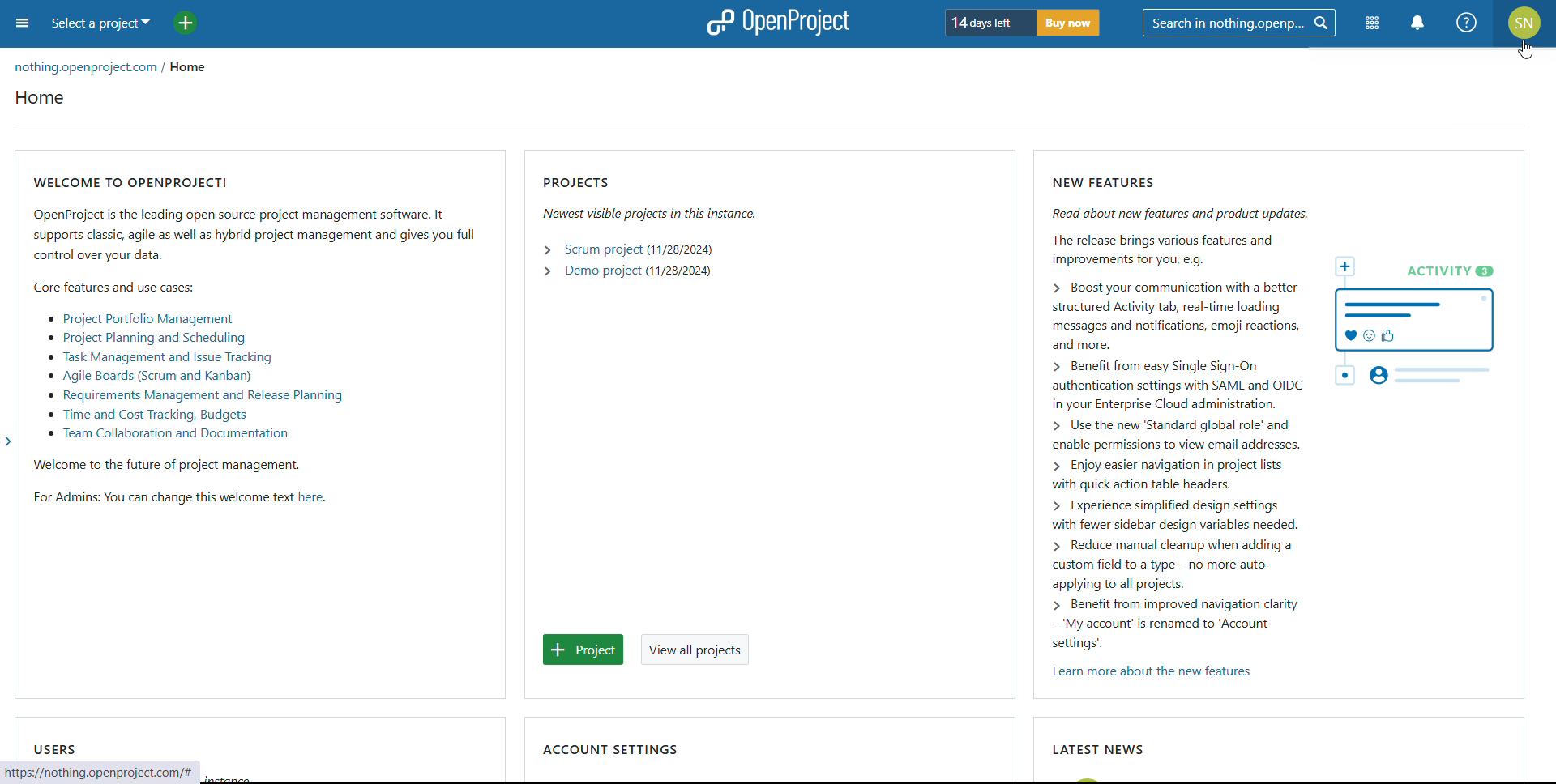  Describe the element at coordinates (40, 97) in the screenshot. I see `home` at that location.